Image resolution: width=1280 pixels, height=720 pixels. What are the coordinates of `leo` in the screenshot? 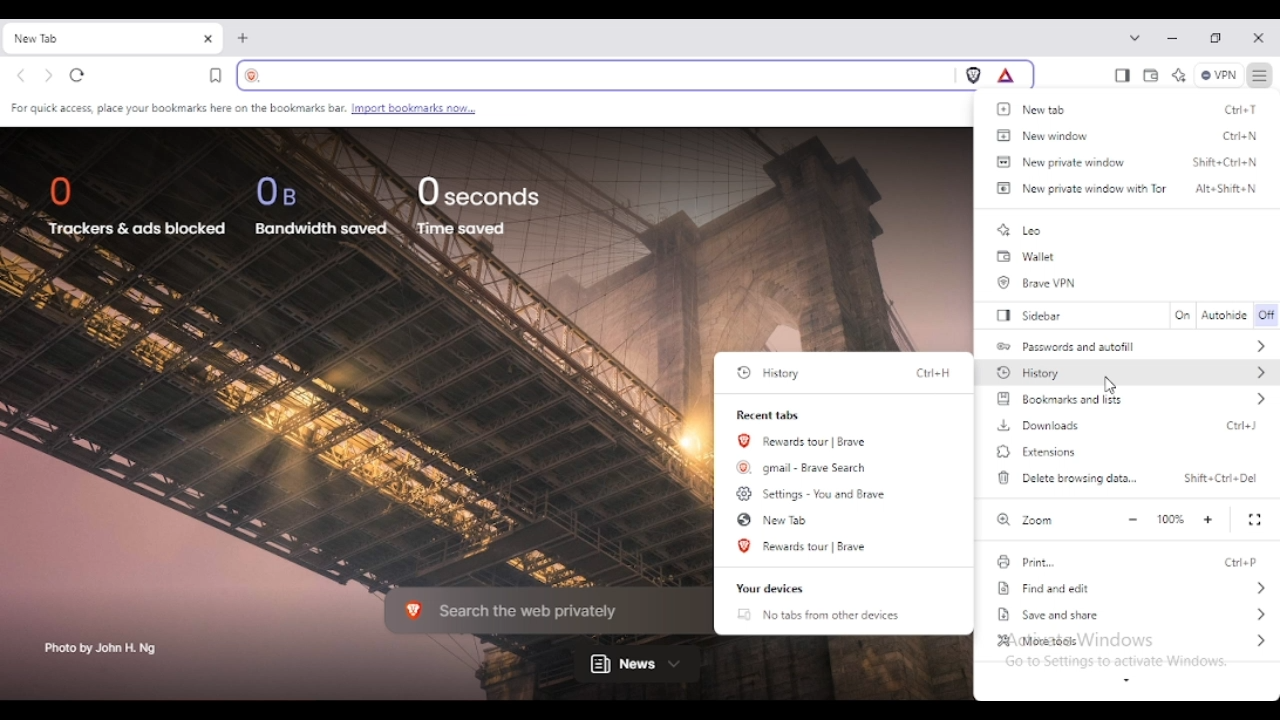 It's located at (1020, 230).